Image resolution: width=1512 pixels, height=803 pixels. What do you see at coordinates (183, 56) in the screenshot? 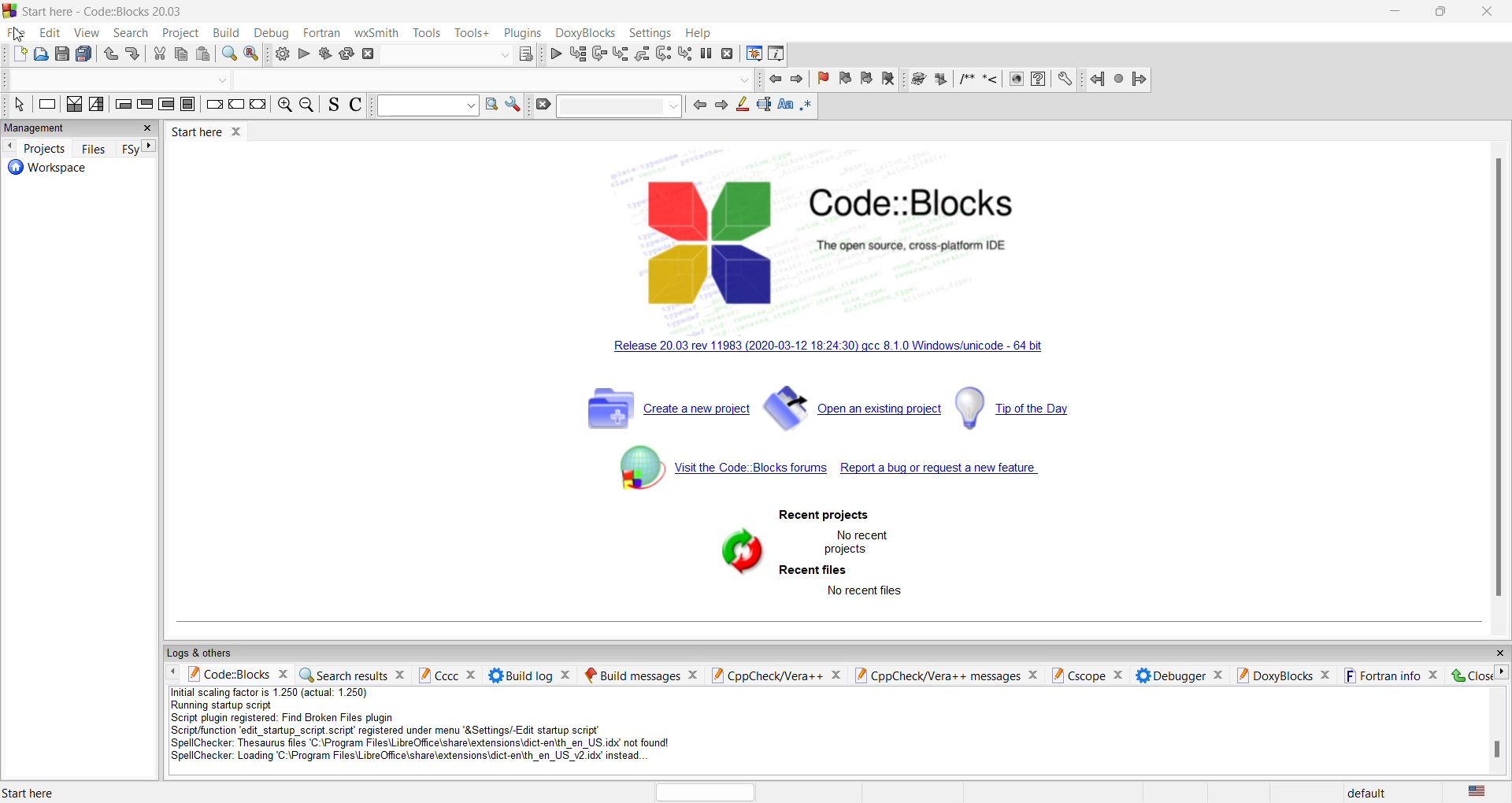
I see `cut` at bounding box center [183, 56].